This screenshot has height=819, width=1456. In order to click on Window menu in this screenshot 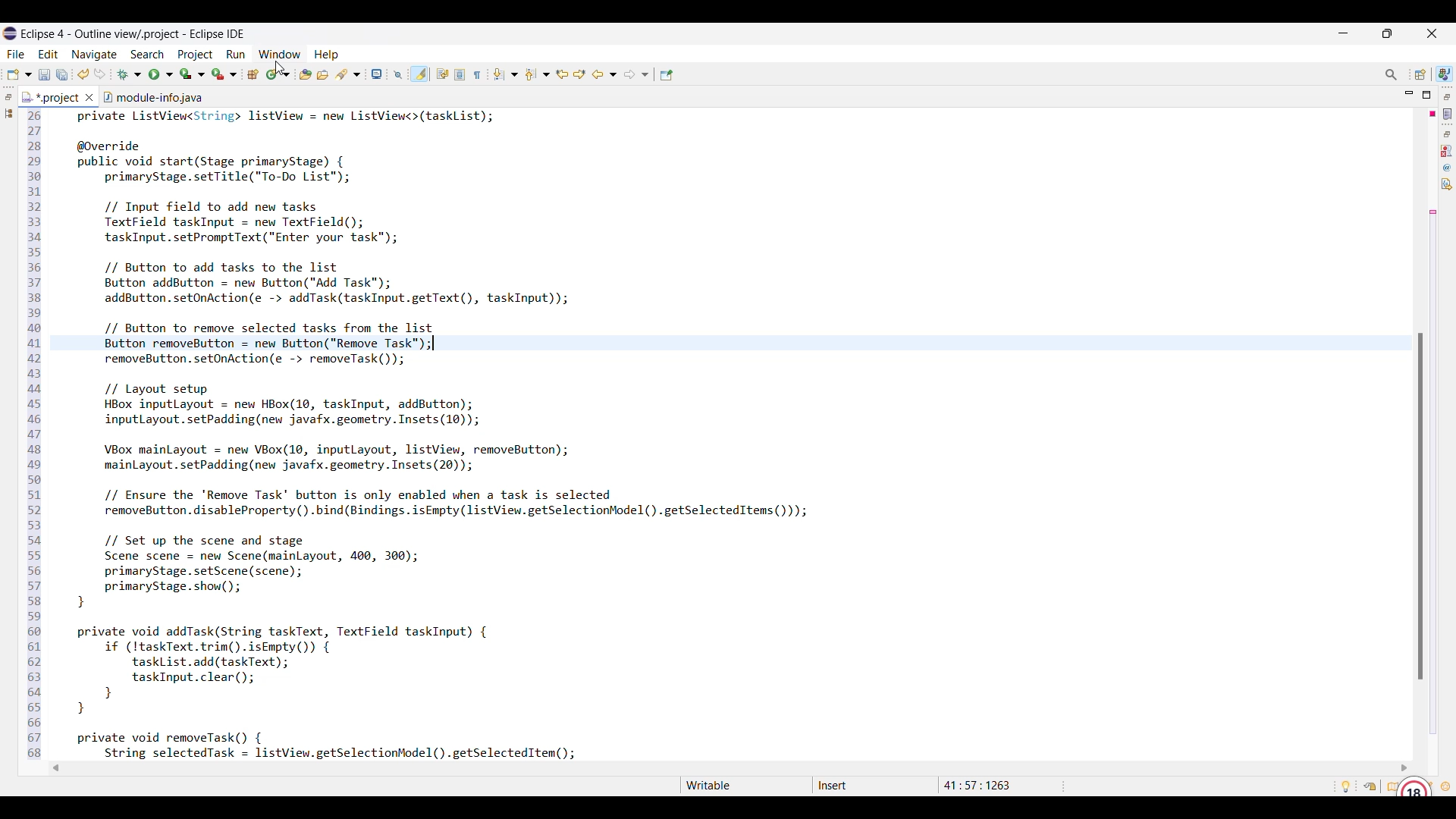, I will do `click(280, 54)`.